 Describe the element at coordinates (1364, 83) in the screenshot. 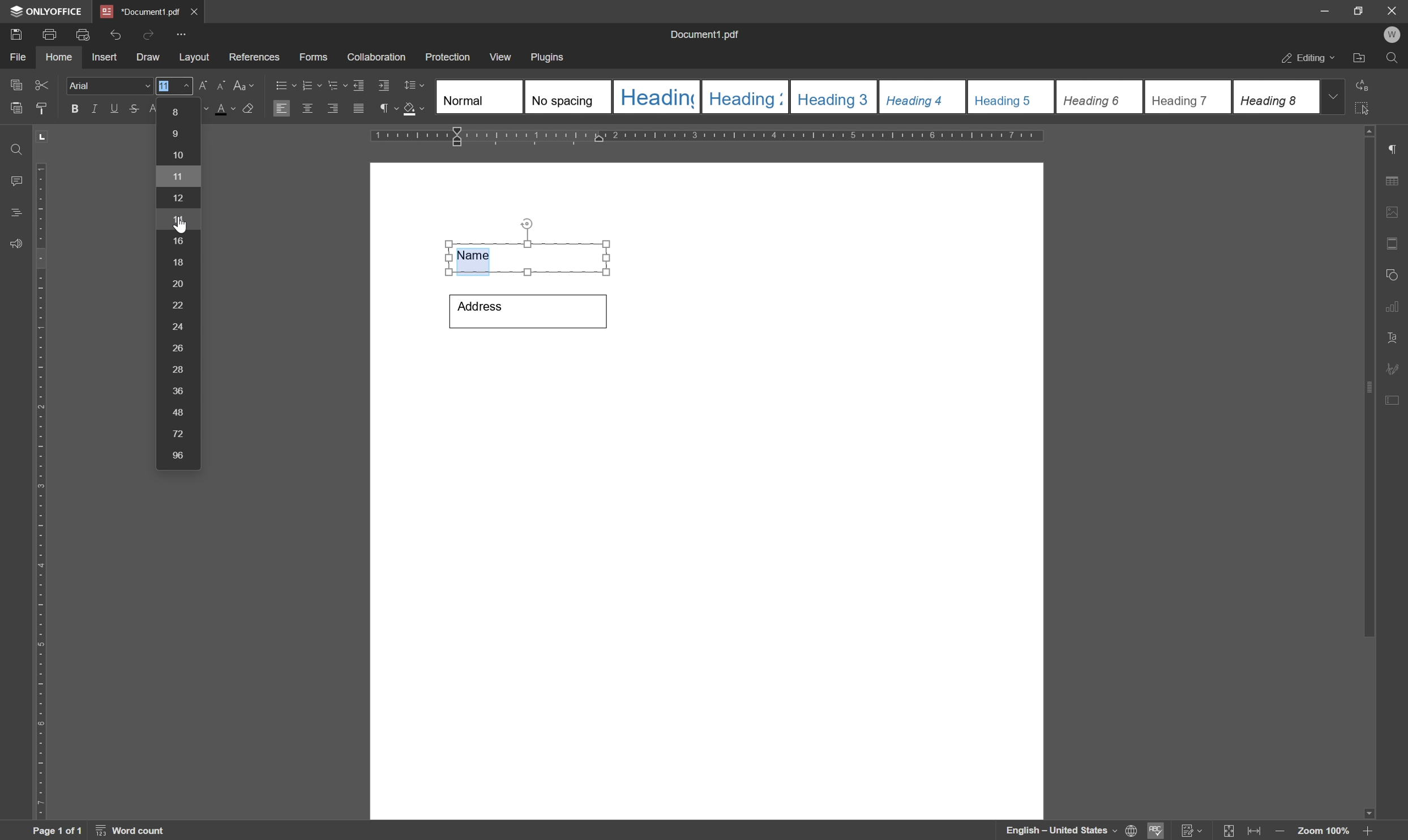

I see `replace` at that location.